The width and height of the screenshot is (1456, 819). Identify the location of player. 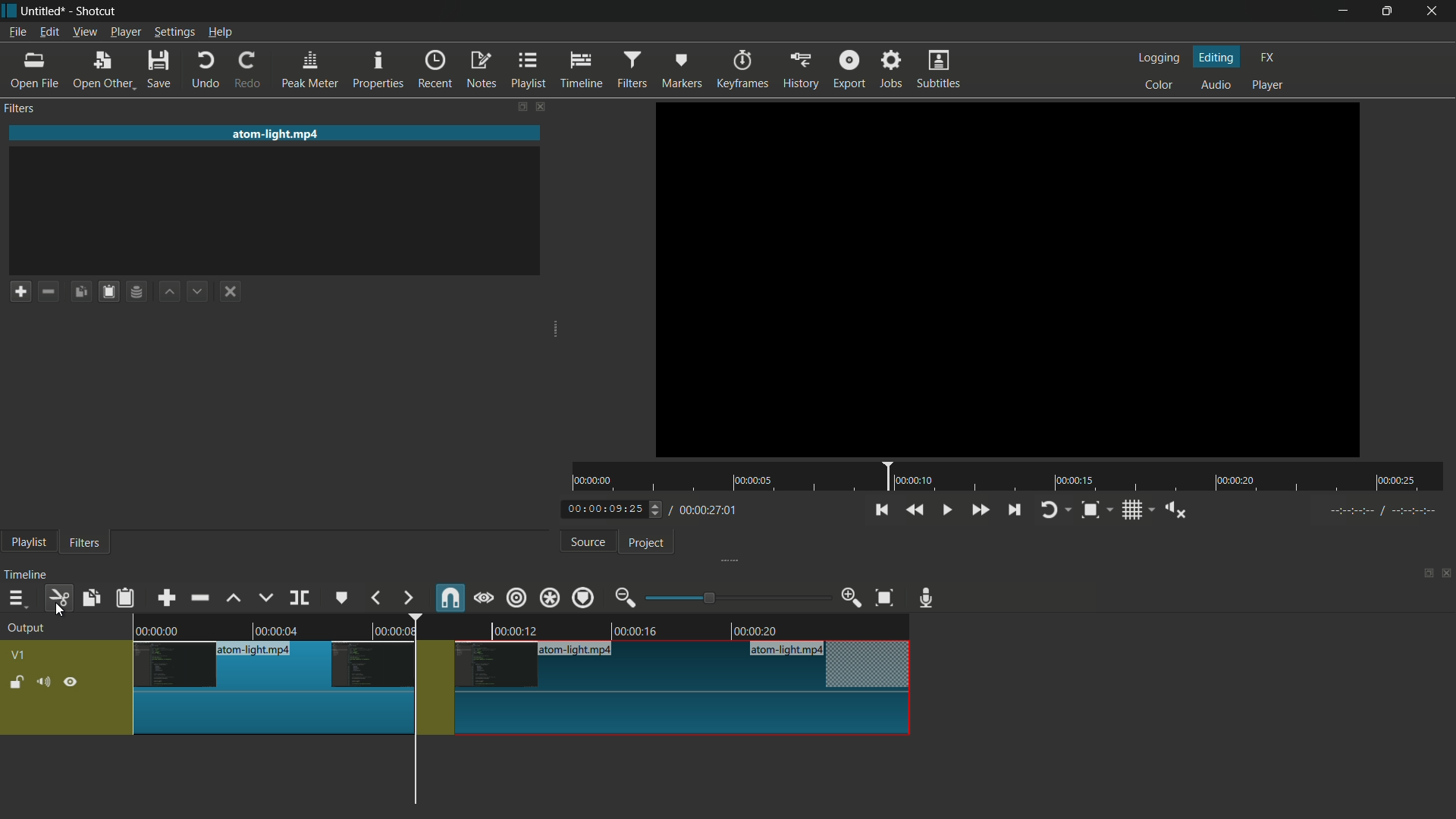
(1270, 87).